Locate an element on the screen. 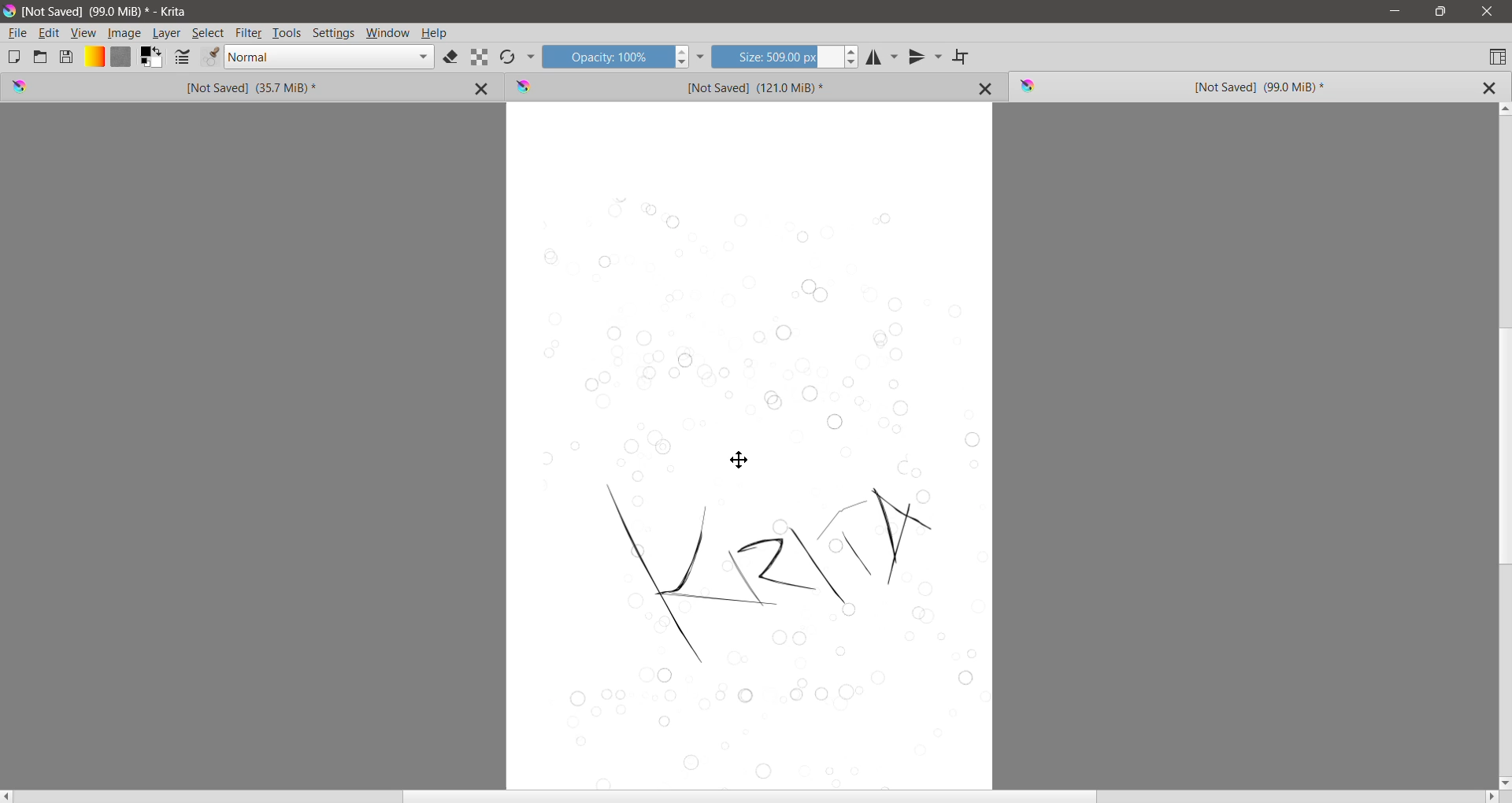  Image is located at coordinates (124, 34).